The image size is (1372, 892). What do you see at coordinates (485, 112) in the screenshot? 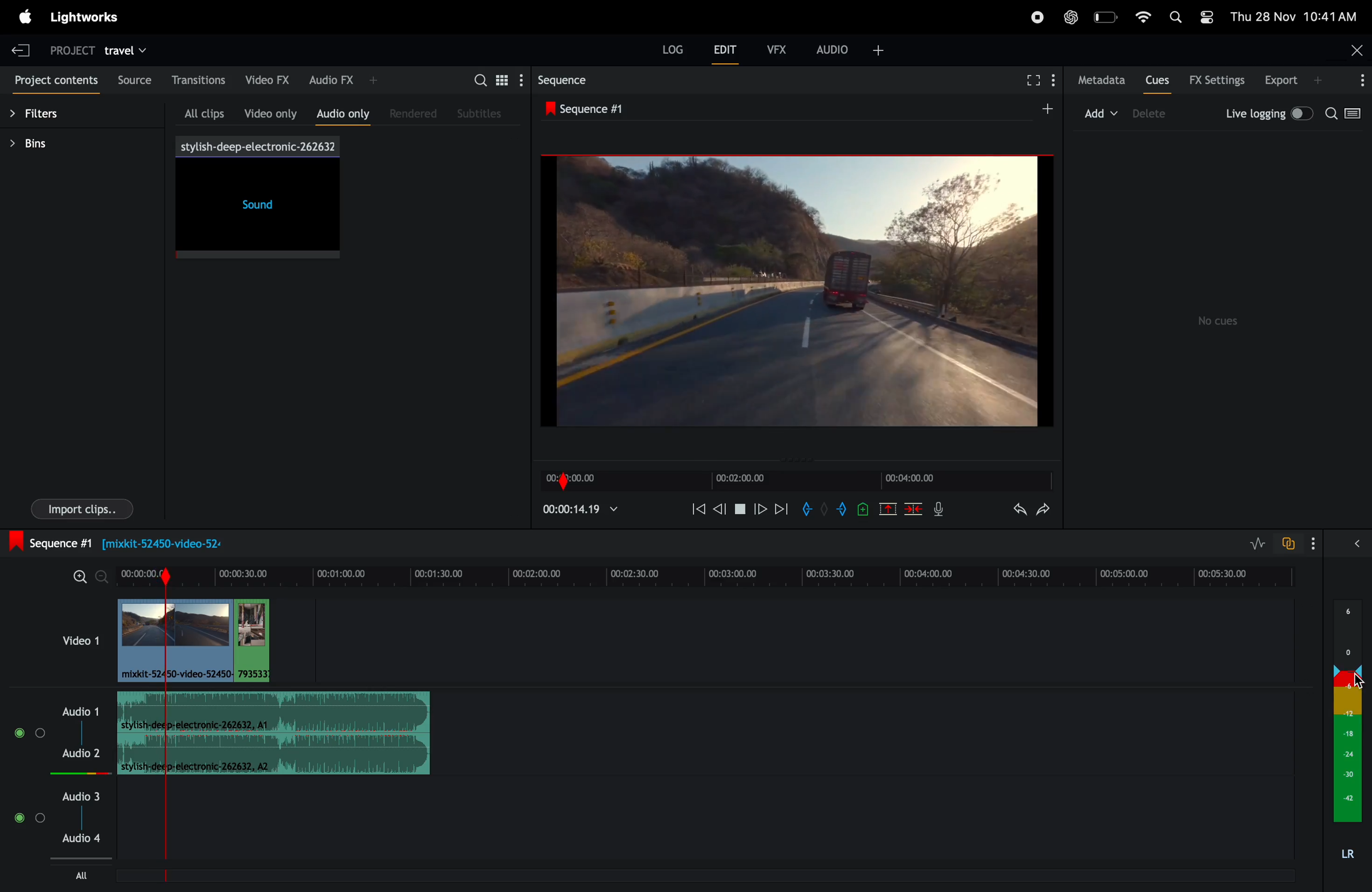
I see `sub titles` at bounding box center [485, 112].